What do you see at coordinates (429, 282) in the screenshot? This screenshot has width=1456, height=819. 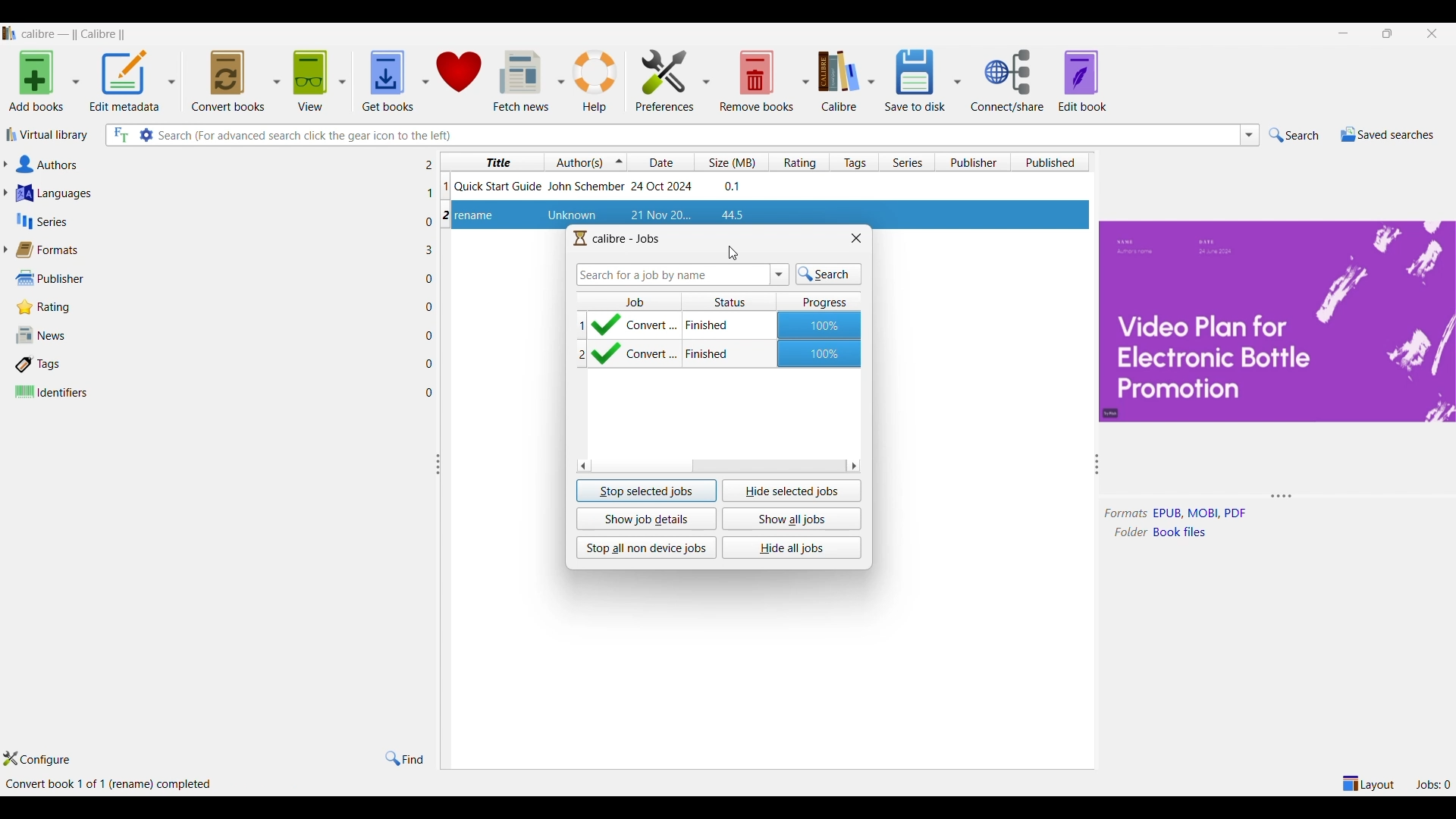 I see `Number of files w.r.t. each column` at bounding box center [429, 282].